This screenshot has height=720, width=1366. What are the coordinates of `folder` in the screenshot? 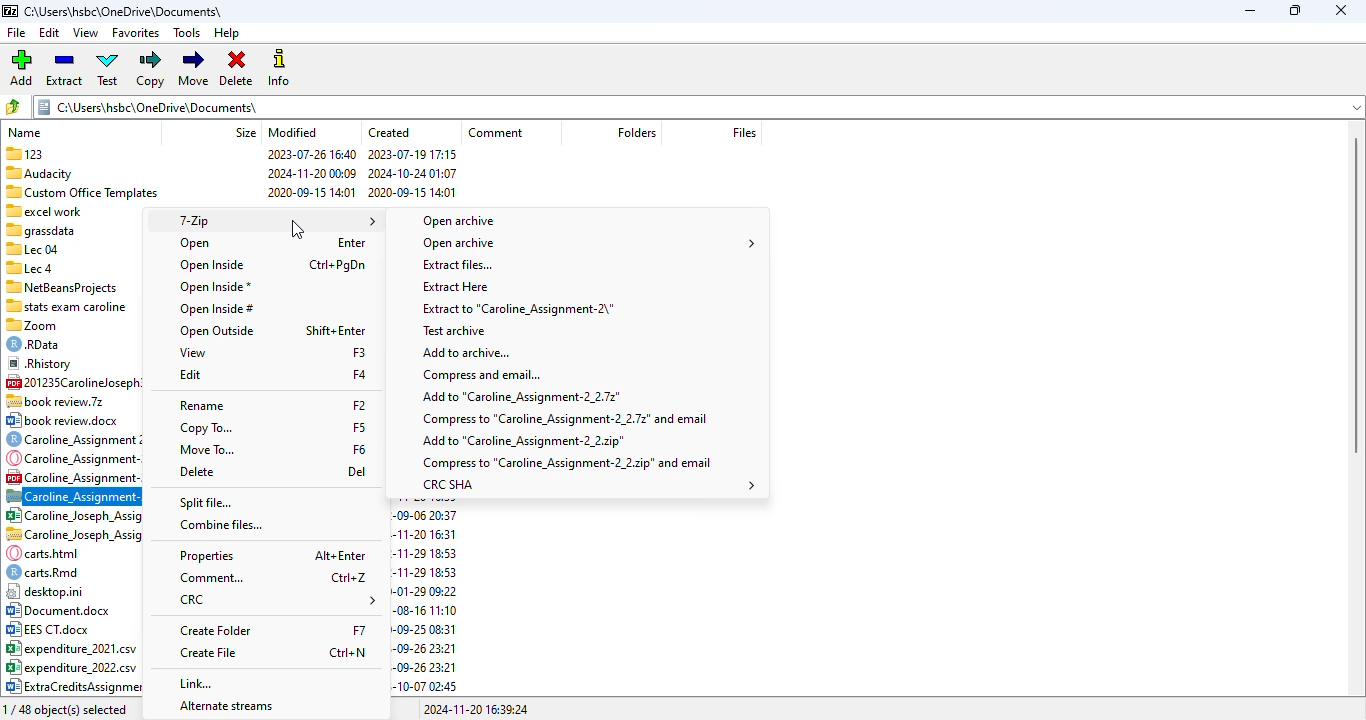 It's located at (123, 11).